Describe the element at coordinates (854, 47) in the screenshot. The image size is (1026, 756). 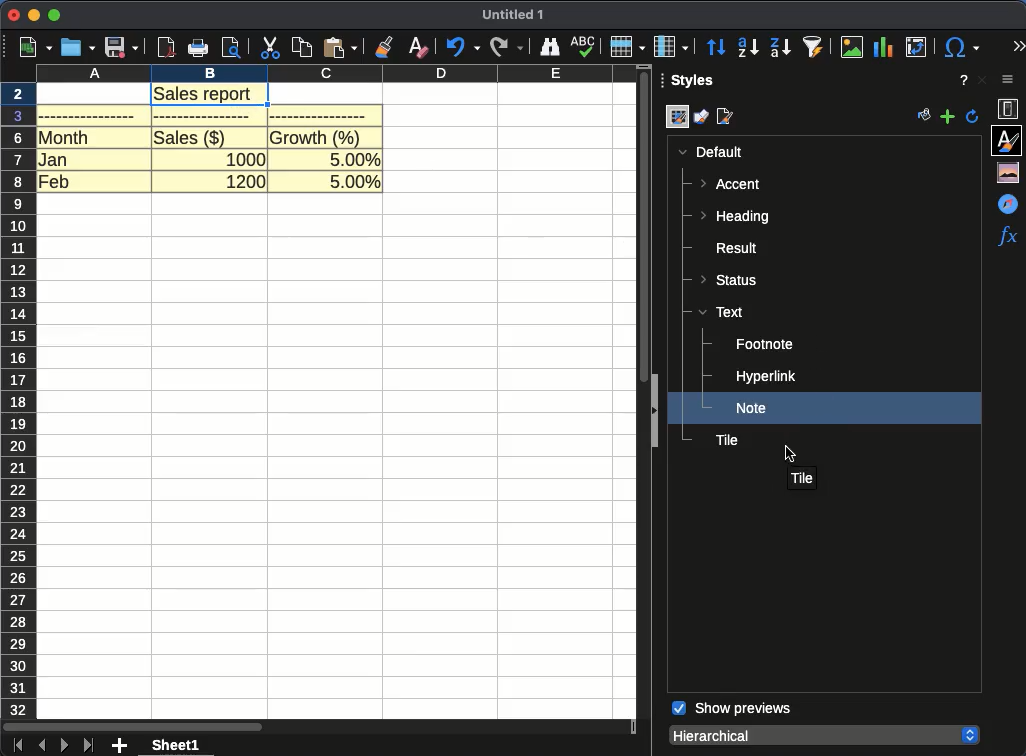
I see `image` at that location.